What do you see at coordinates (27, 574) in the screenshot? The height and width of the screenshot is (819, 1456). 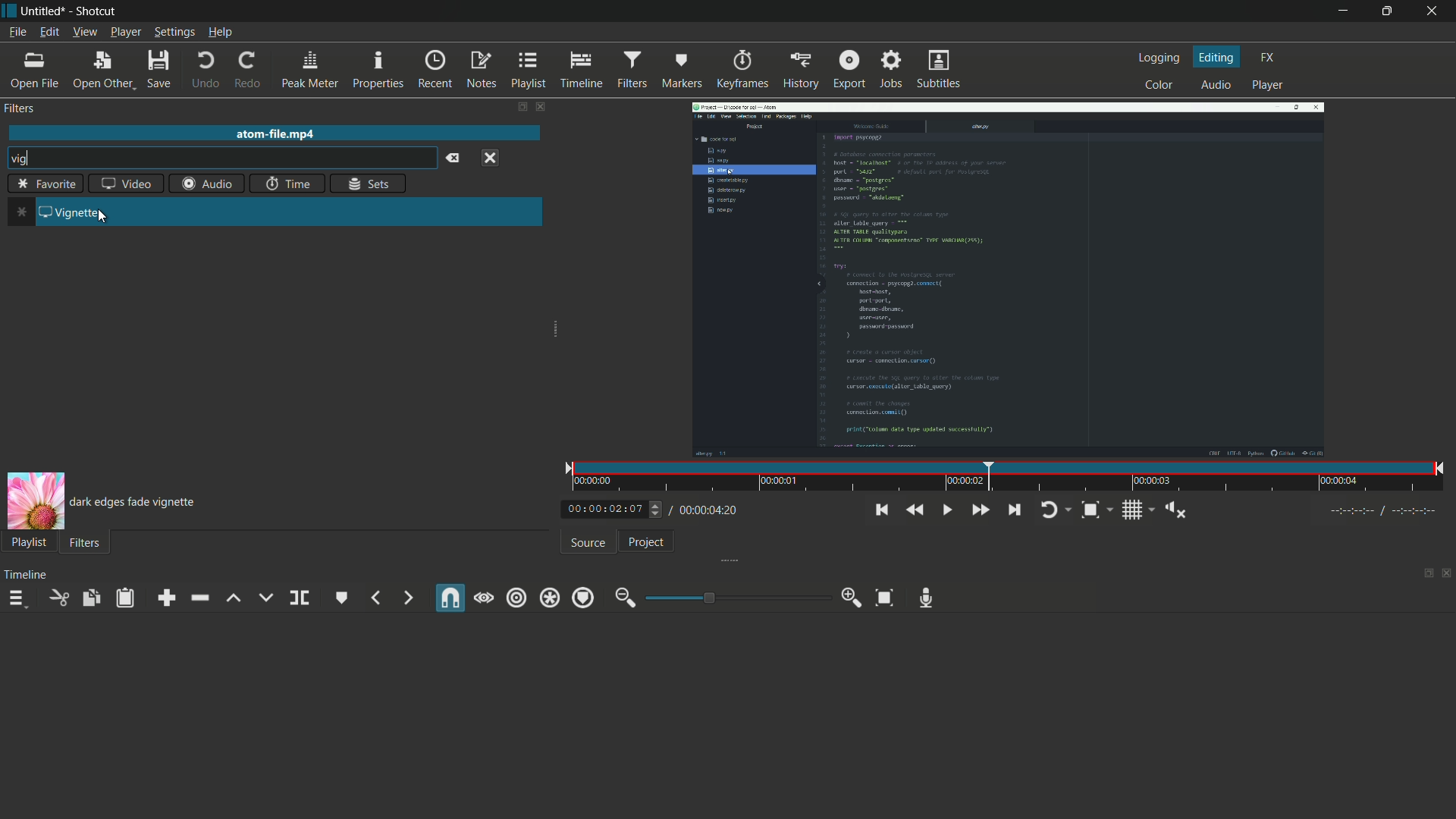 I see `Timeline` at bounding box center [27, 574].